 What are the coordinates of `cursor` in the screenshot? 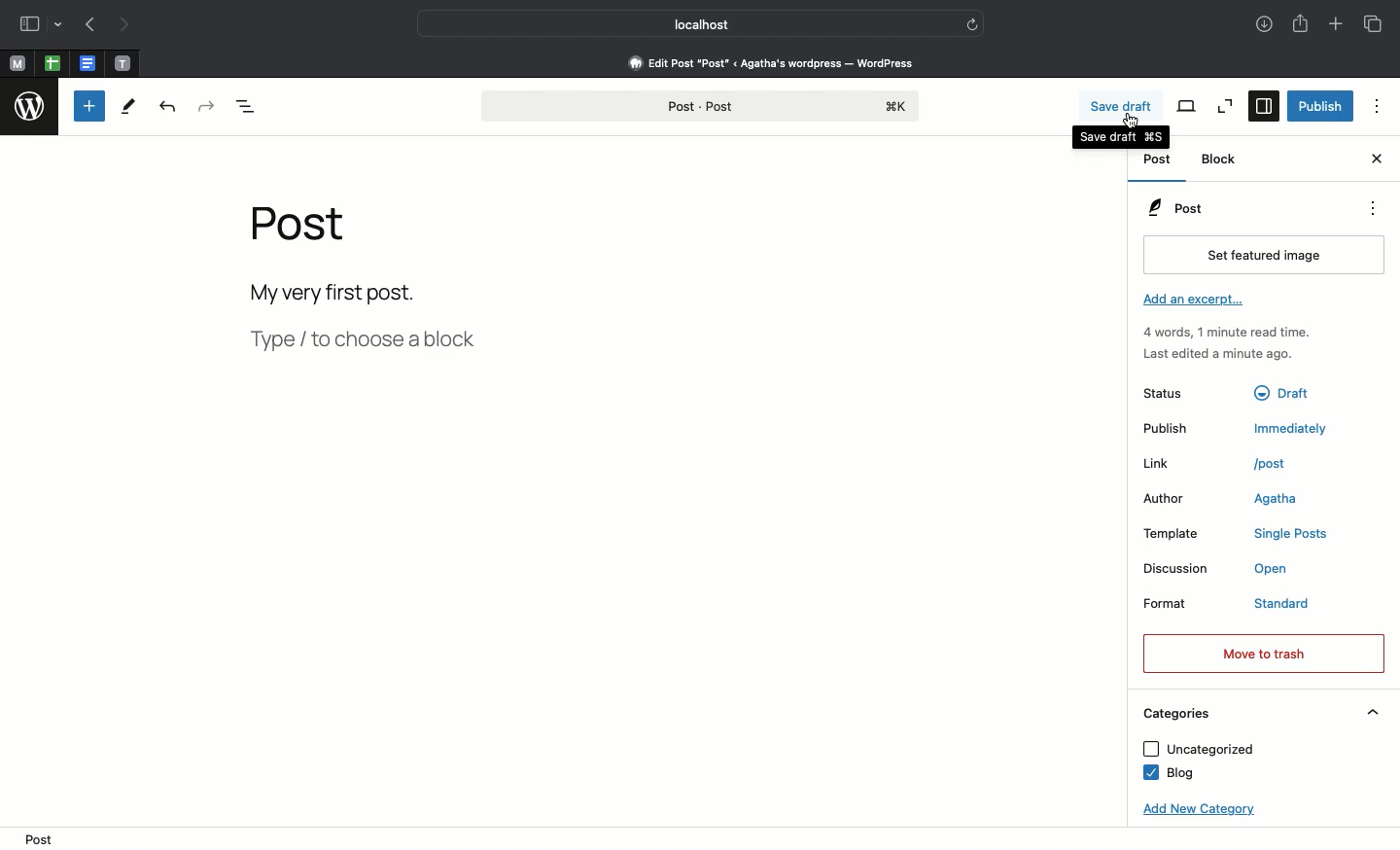 It's located at (1133, 122).